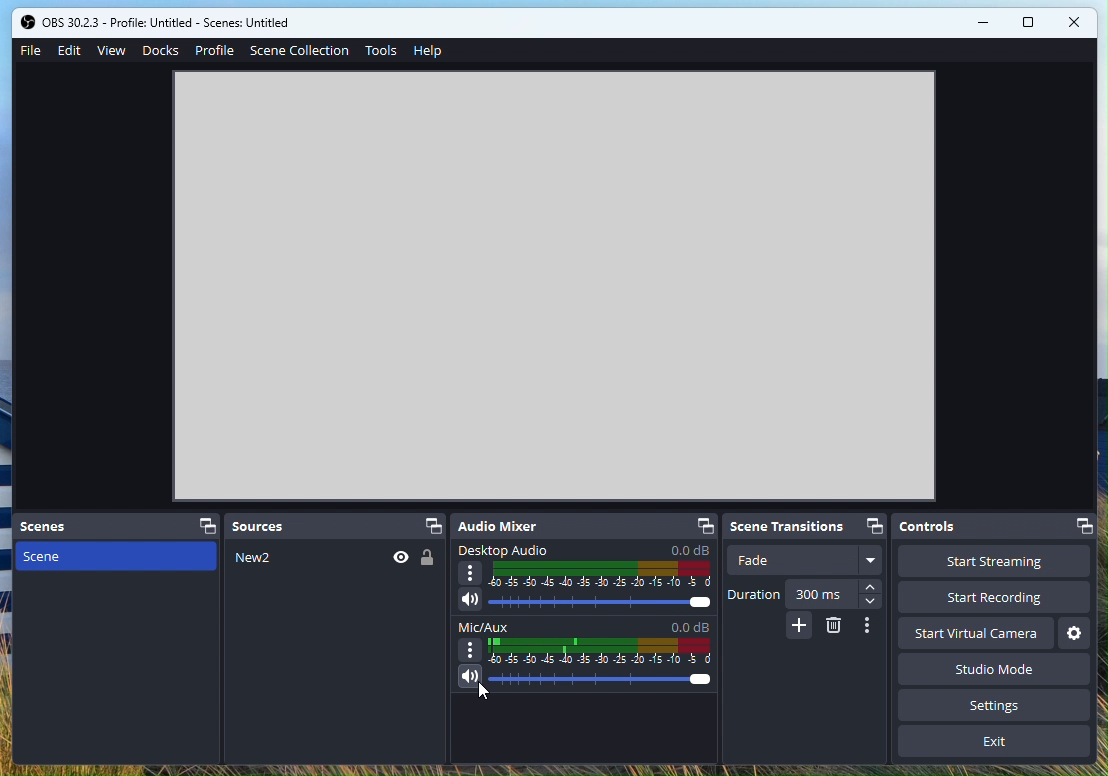 The width and height of the screenshot is (1108, 776). What do you see at coordinates (808, 559) in the screenshot?
I see `Fade` at bounding box center [808, 559].